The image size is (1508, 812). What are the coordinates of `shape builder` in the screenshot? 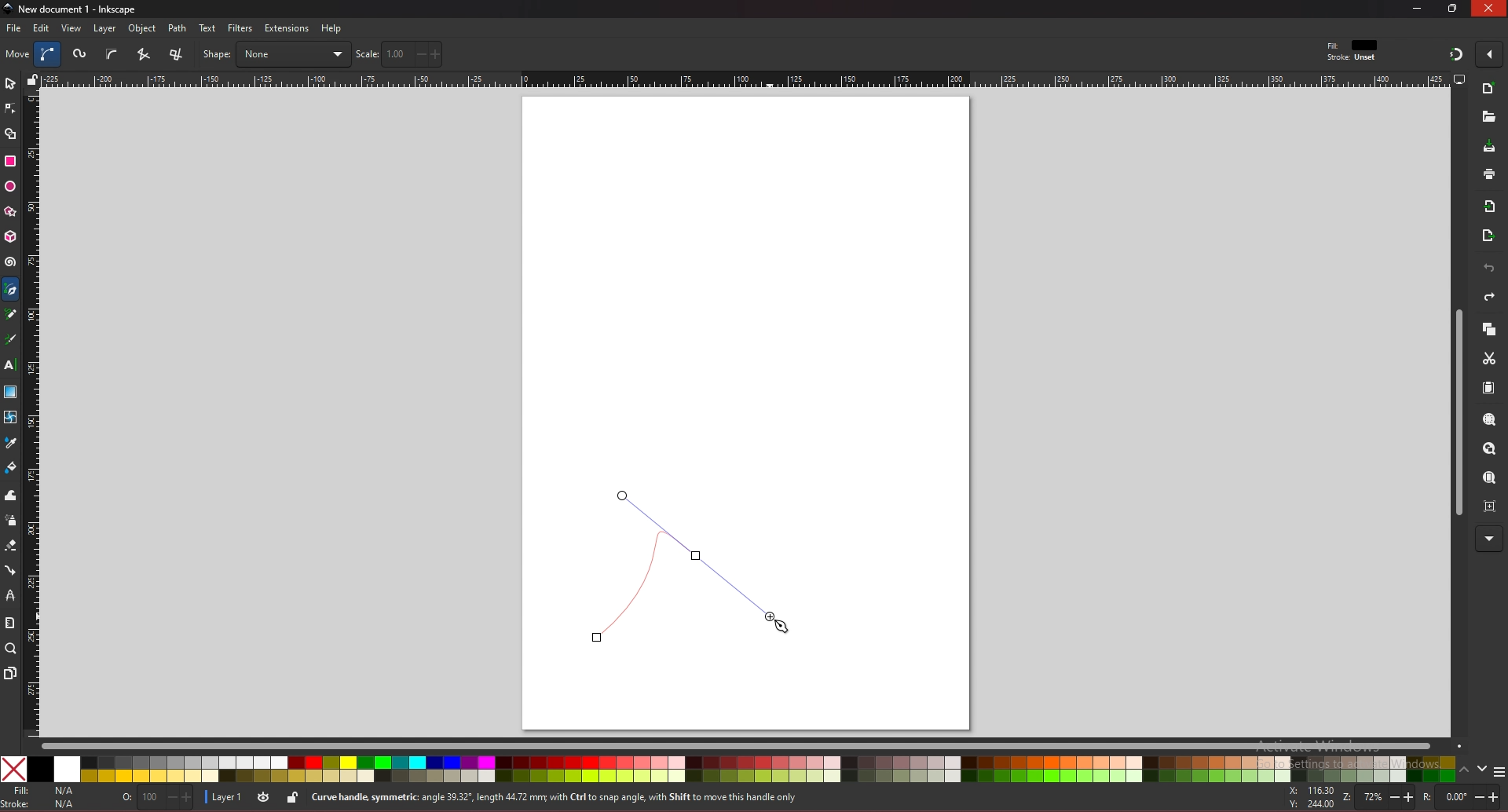 It's located at (11, 134).